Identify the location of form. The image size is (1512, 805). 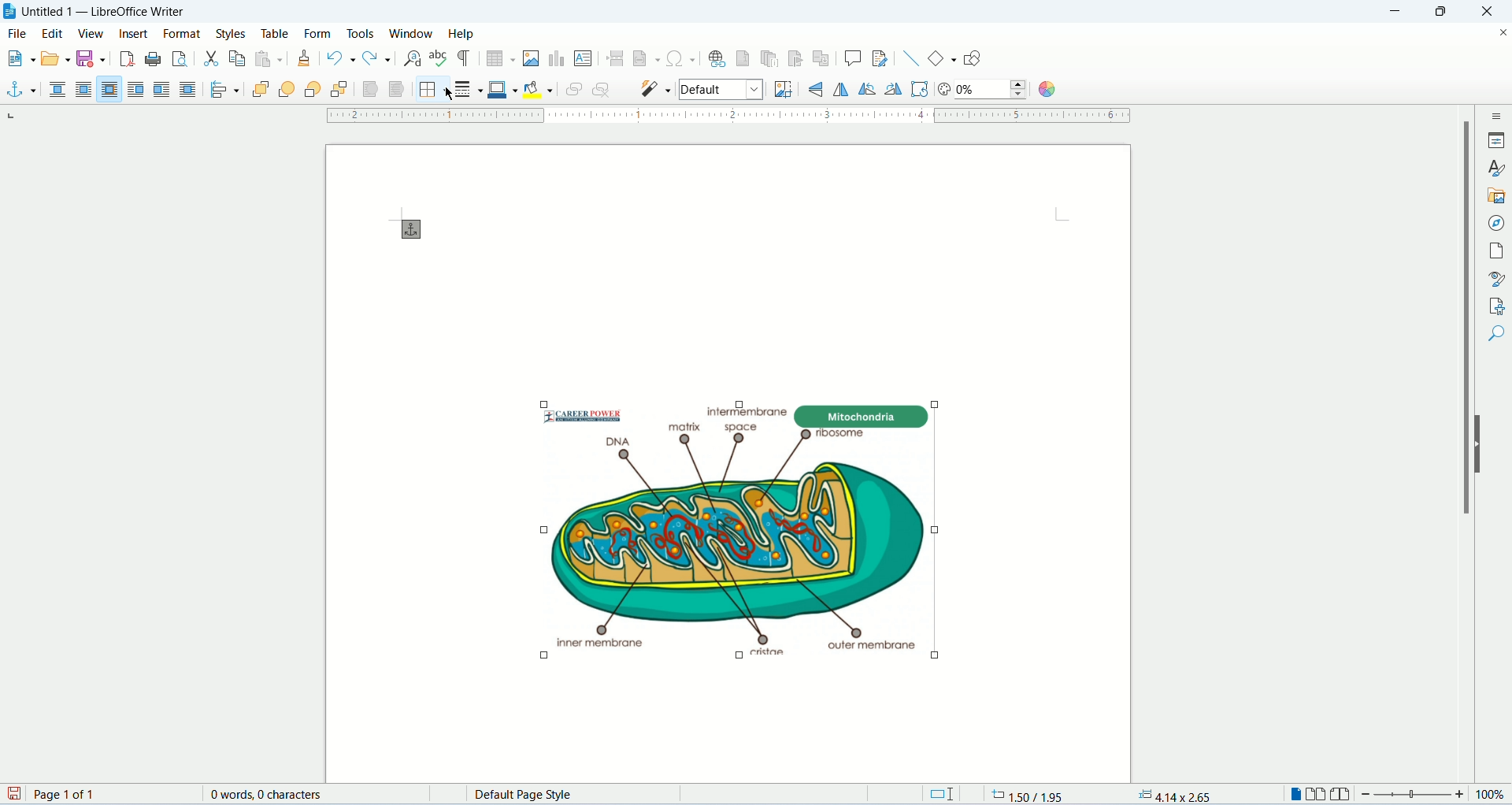
(321, 32).